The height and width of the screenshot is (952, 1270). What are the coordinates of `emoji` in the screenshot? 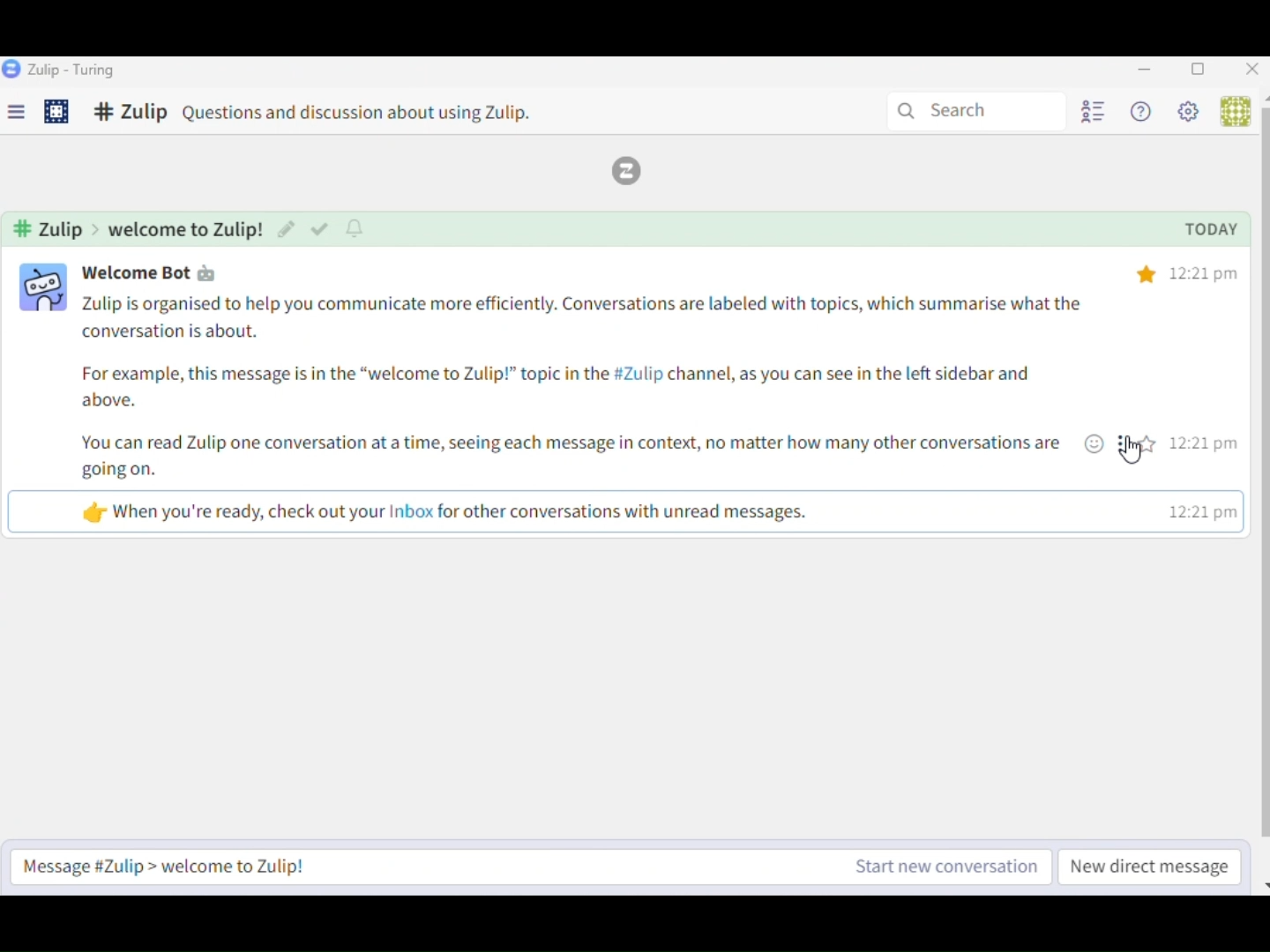 It's located at (1099, 444).